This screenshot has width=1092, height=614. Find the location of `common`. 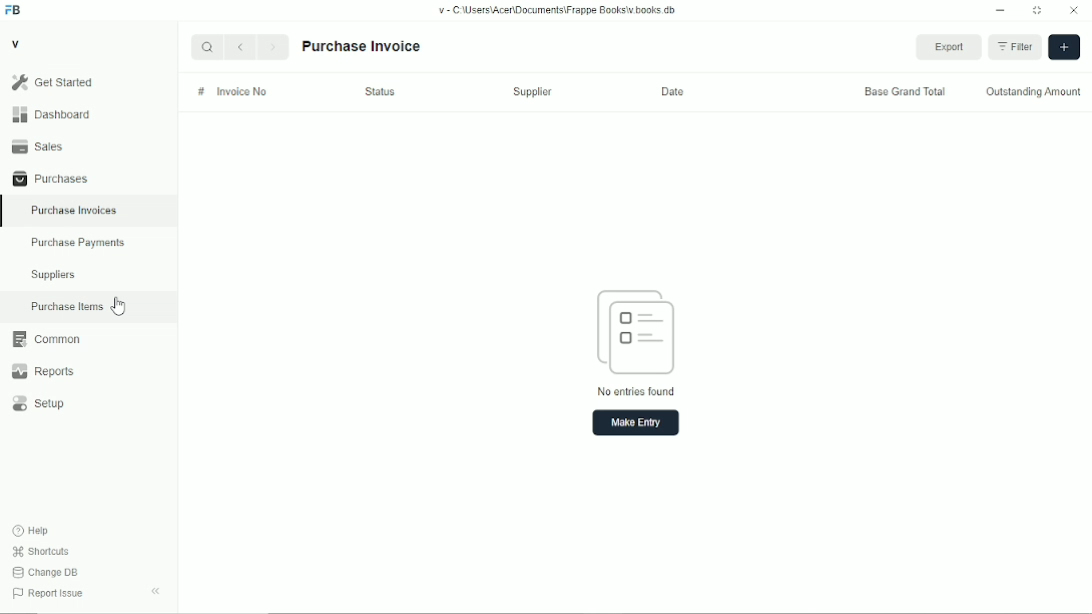

common is located at coordinates (47, 339).